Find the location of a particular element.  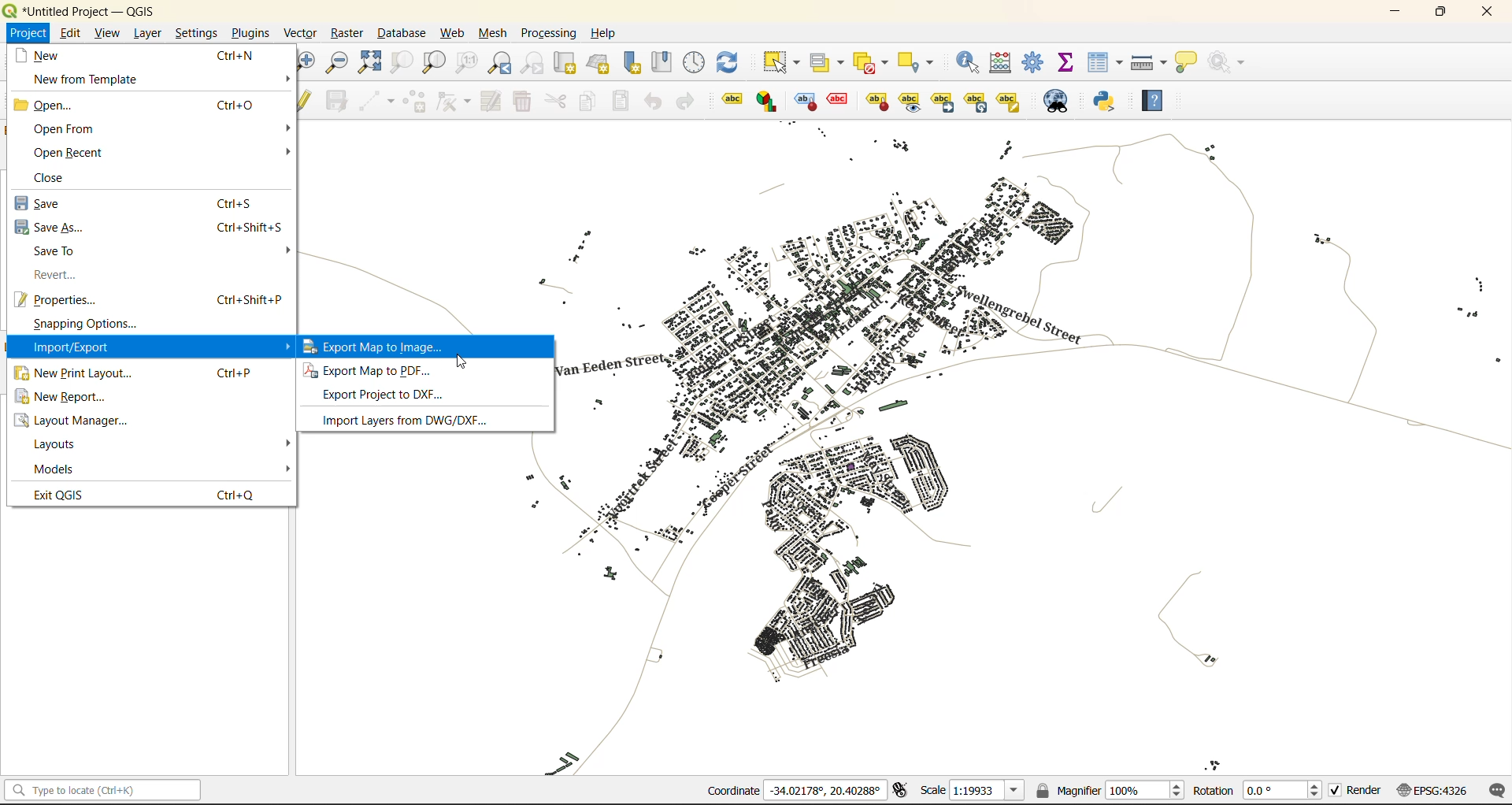

Rotate a label is located at coordinates (976, 100).